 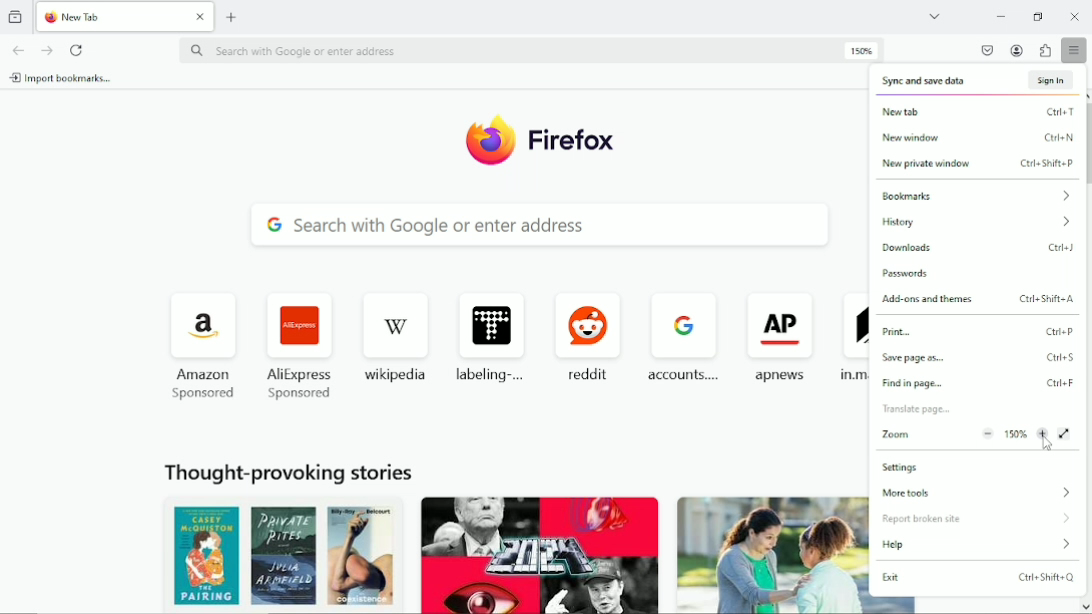 I want to click on increase, so click(x=1045, y=439).